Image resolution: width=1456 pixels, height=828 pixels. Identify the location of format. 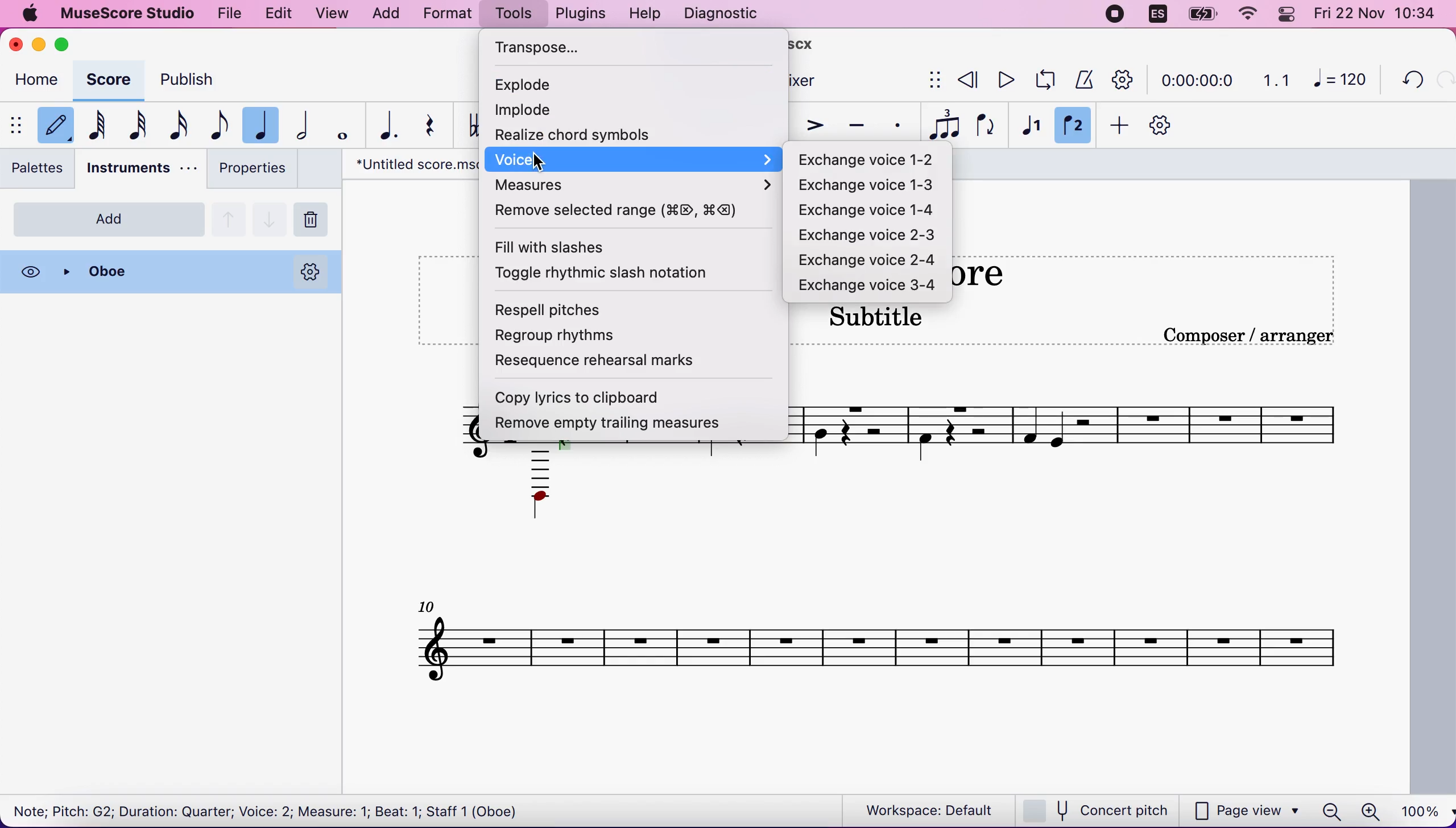
(450, 14).